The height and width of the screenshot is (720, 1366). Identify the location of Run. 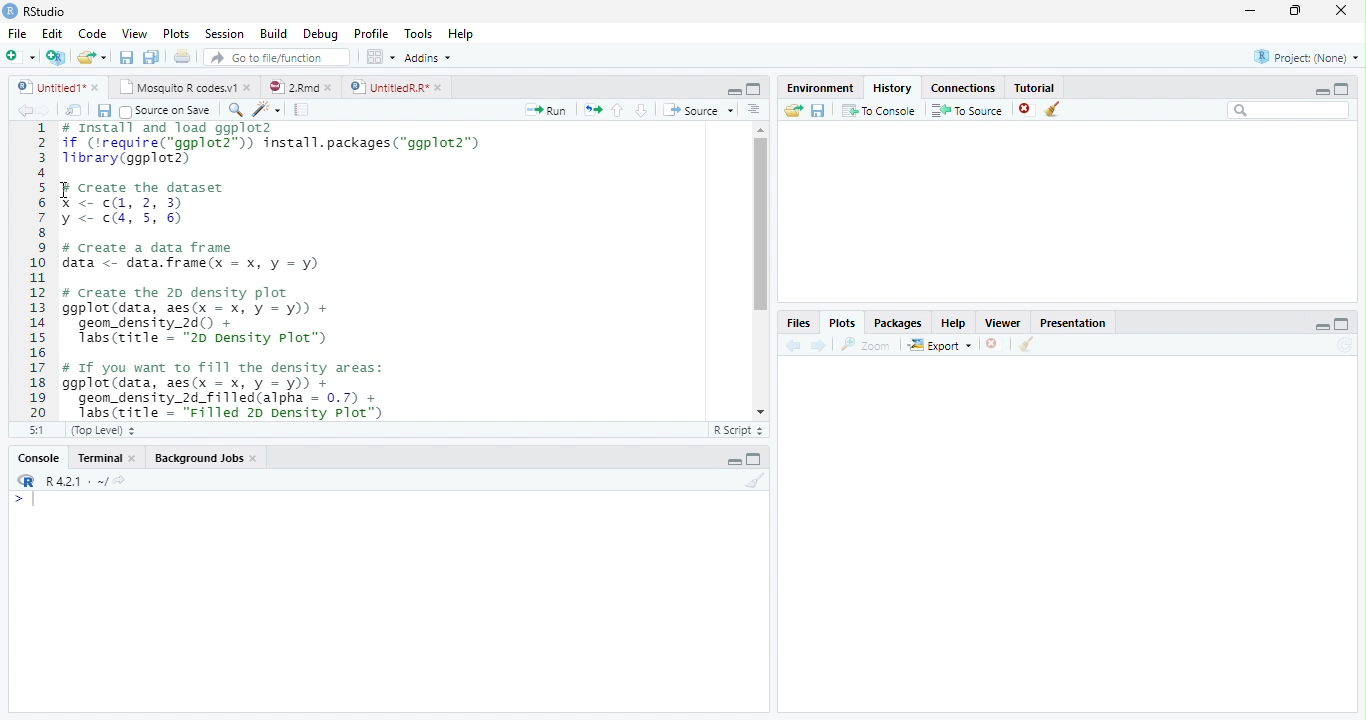
(543, 111).